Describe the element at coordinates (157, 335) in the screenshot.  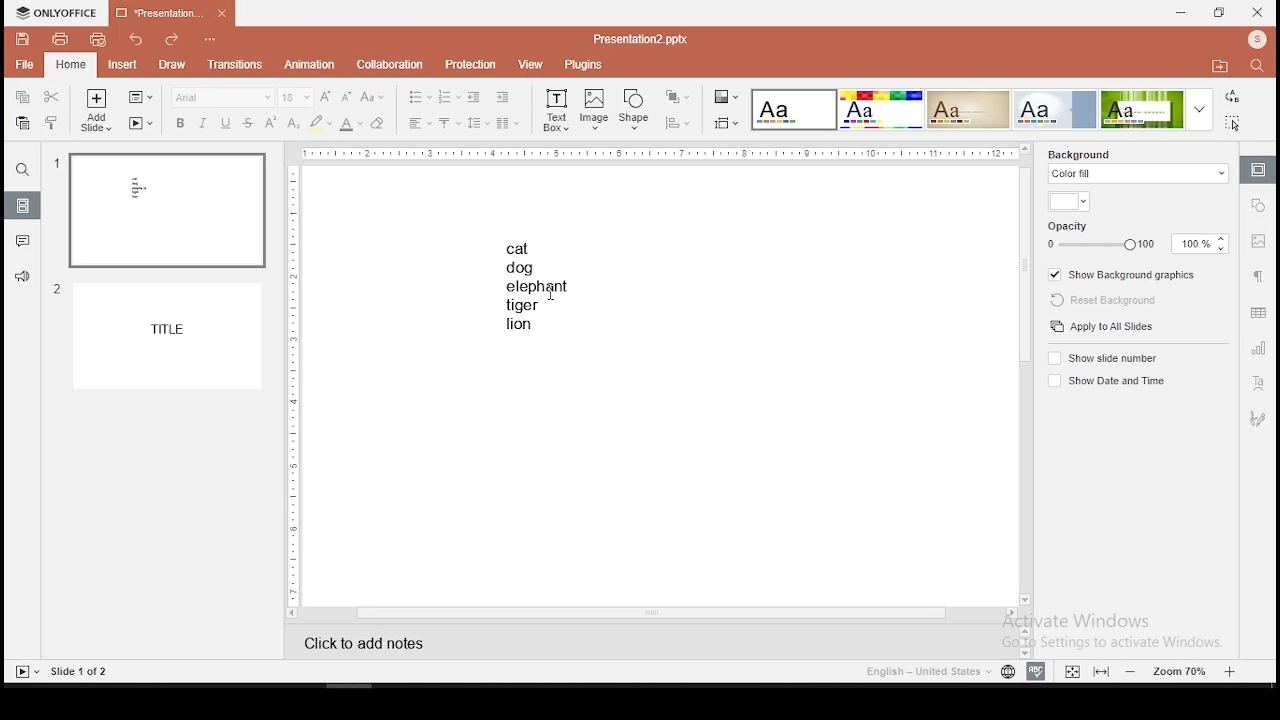
I see `slide 2` at that location.